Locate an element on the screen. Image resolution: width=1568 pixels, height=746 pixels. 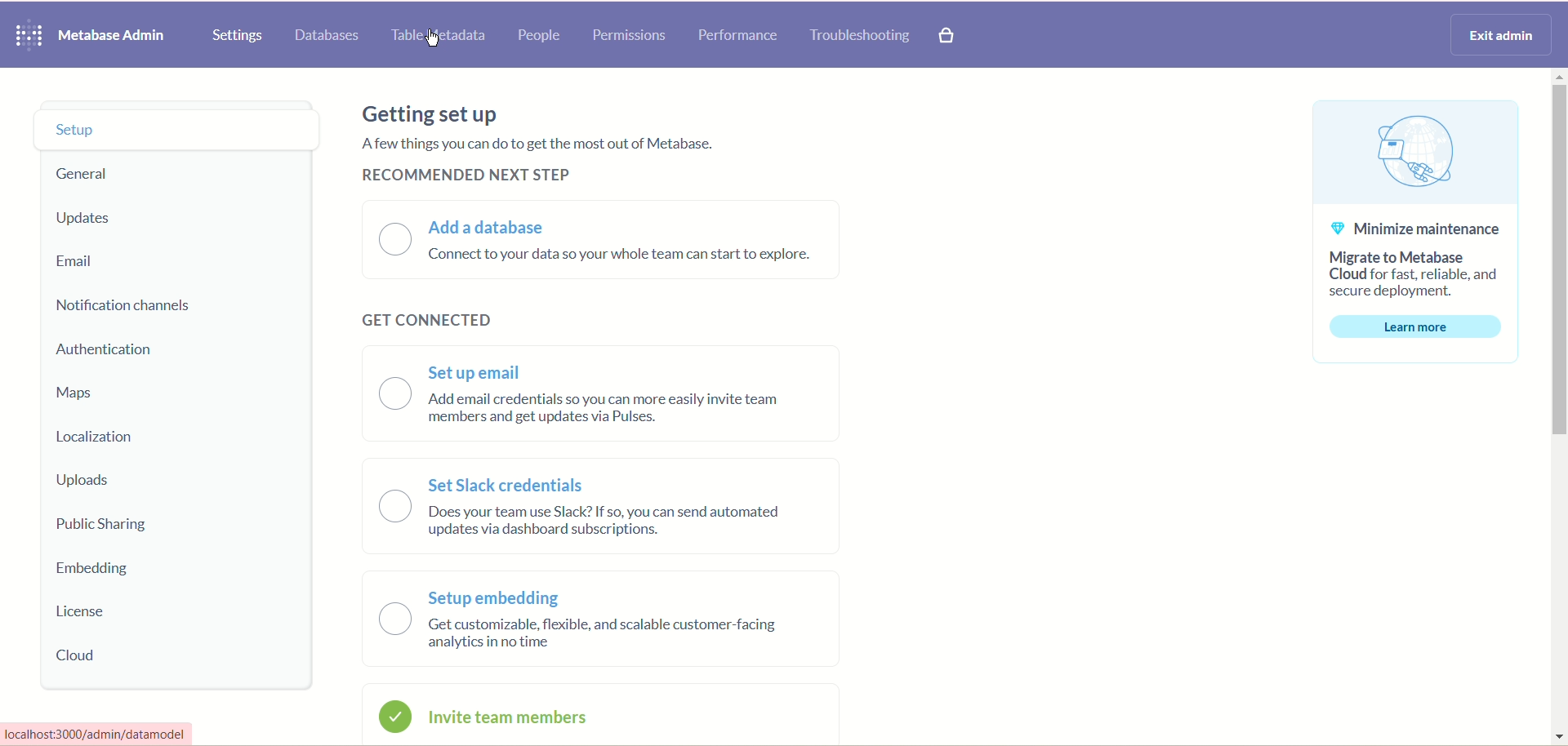
Minimize maintenance. Migrate to Metabase. Cloud for fast, reliable, and secure deployment. is located at coordinates (1413, 261).